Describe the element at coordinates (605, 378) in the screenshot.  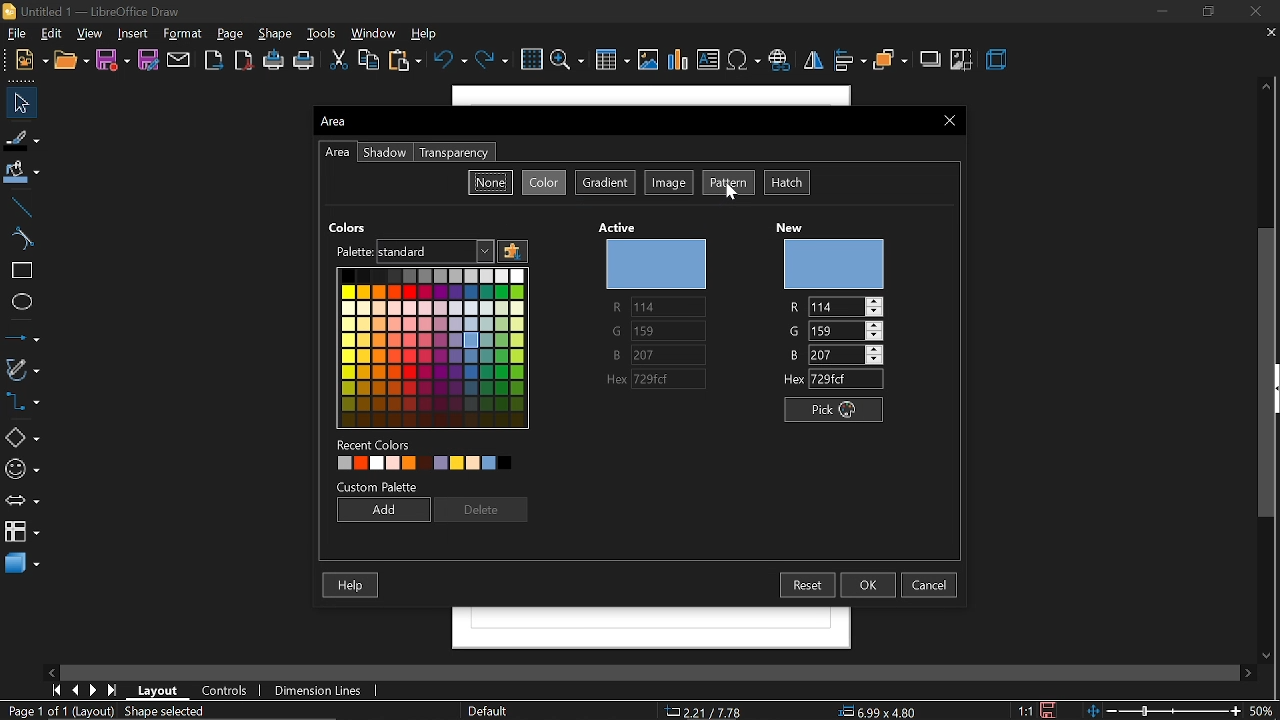
I see `Hex` at that location.